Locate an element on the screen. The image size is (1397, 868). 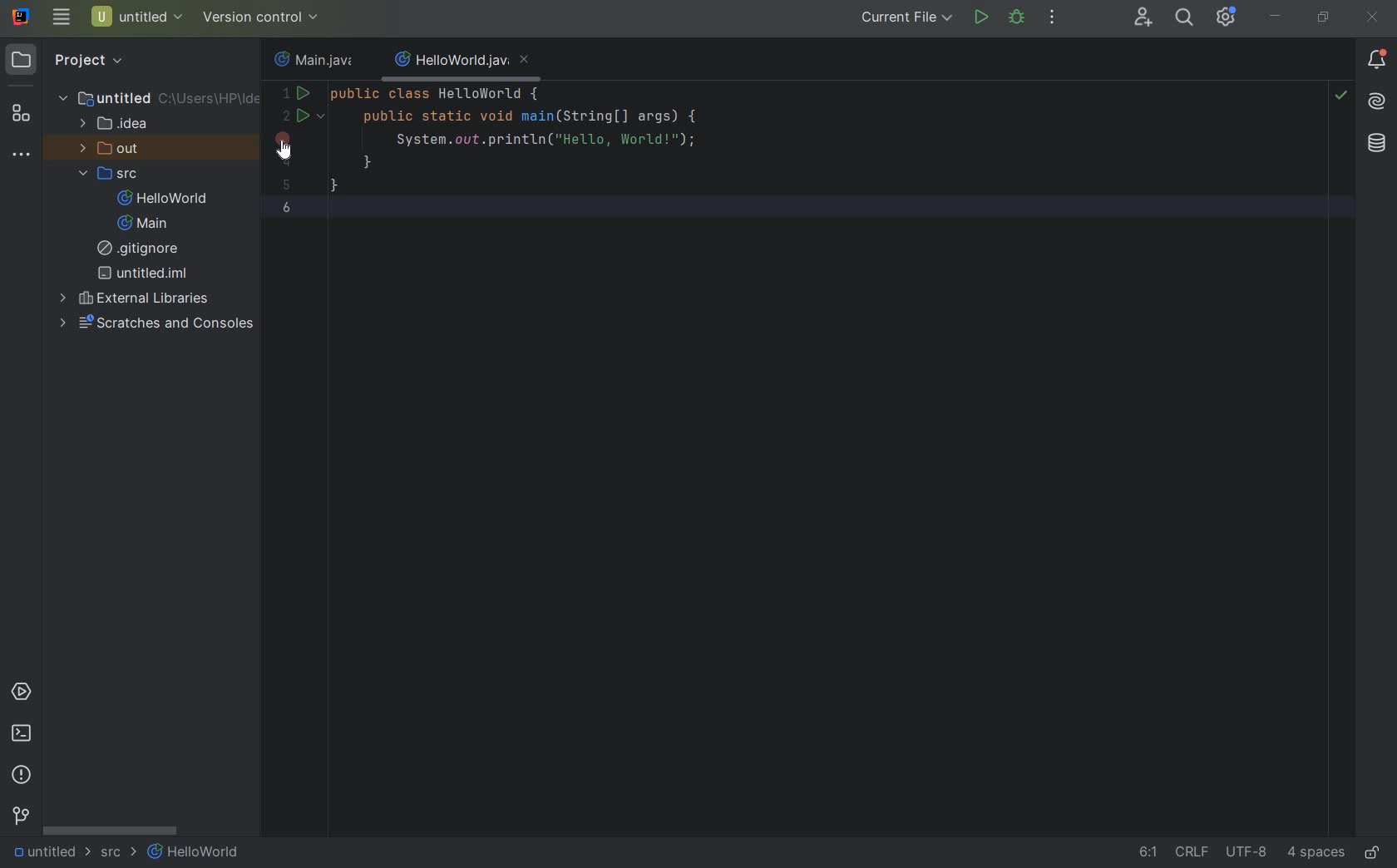
external libraries is located at coordinates (137, 298).